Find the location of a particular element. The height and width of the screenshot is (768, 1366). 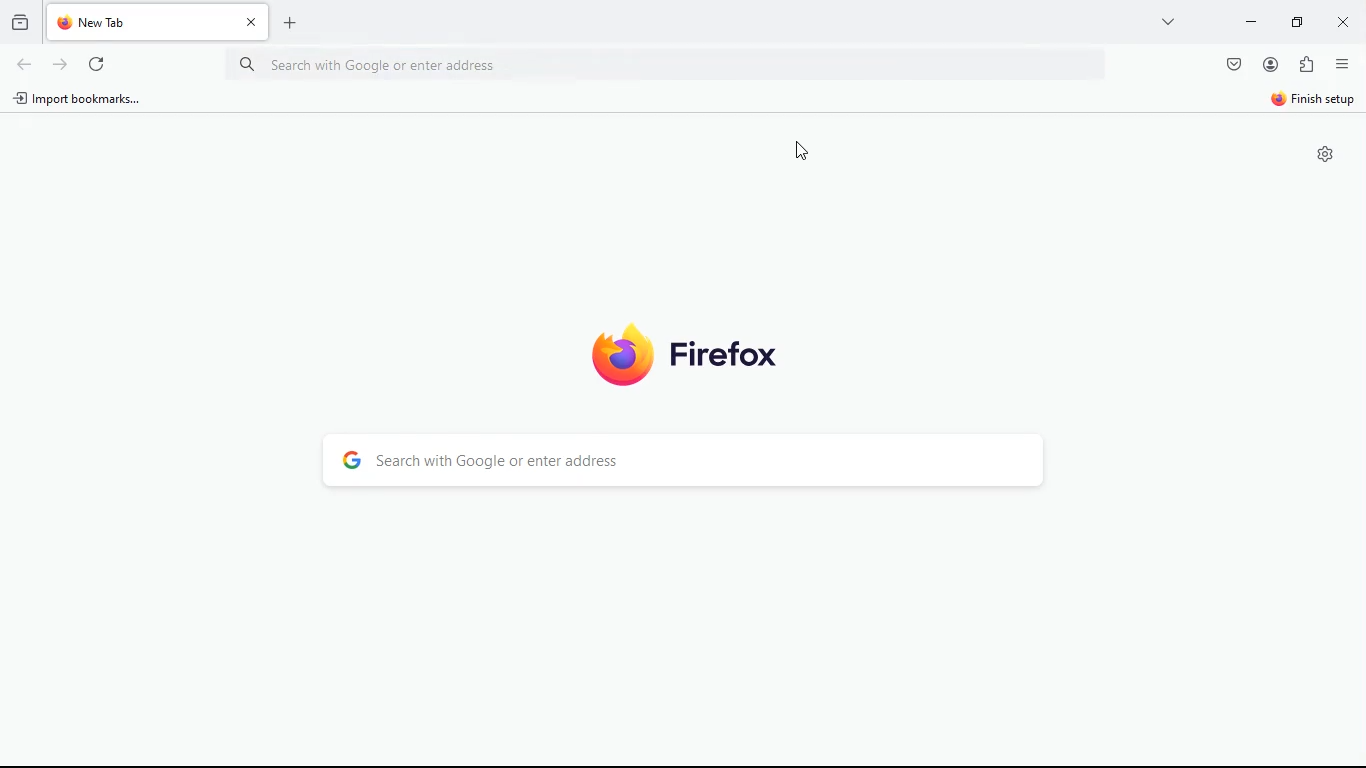

refresh is located at coordinates (97, 66).